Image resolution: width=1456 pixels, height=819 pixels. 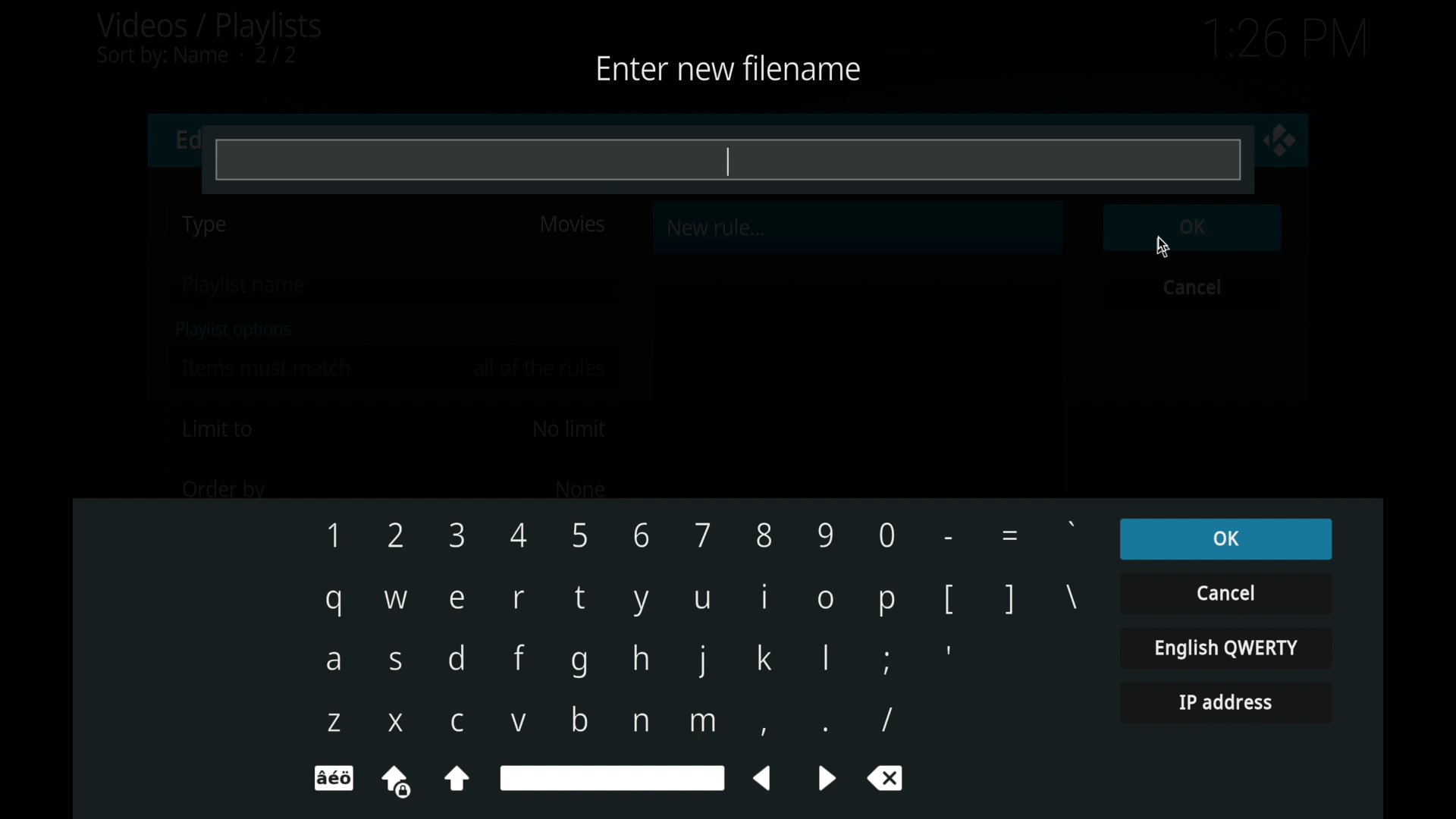 What do you see at coordinates (1193, 287) in the screenshot?
I see `cancel` at bounding box center [1193, 287].